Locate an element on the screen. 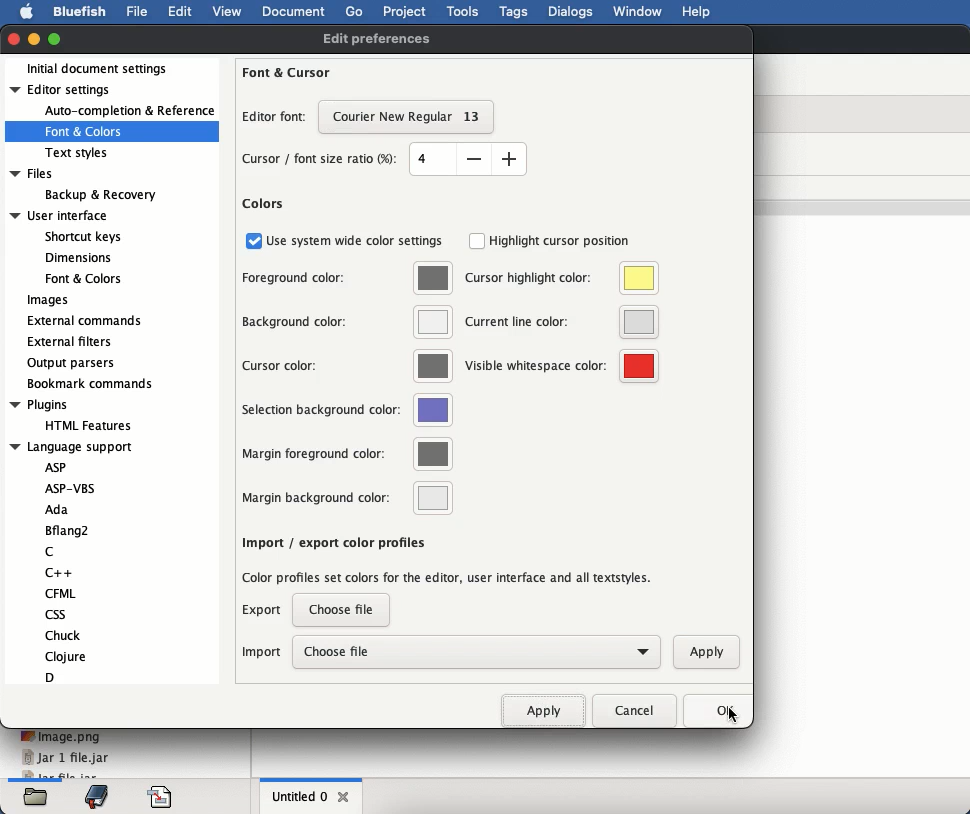 This screenshot has width=970, height=814. current line color is located at coordinates (561, 323).